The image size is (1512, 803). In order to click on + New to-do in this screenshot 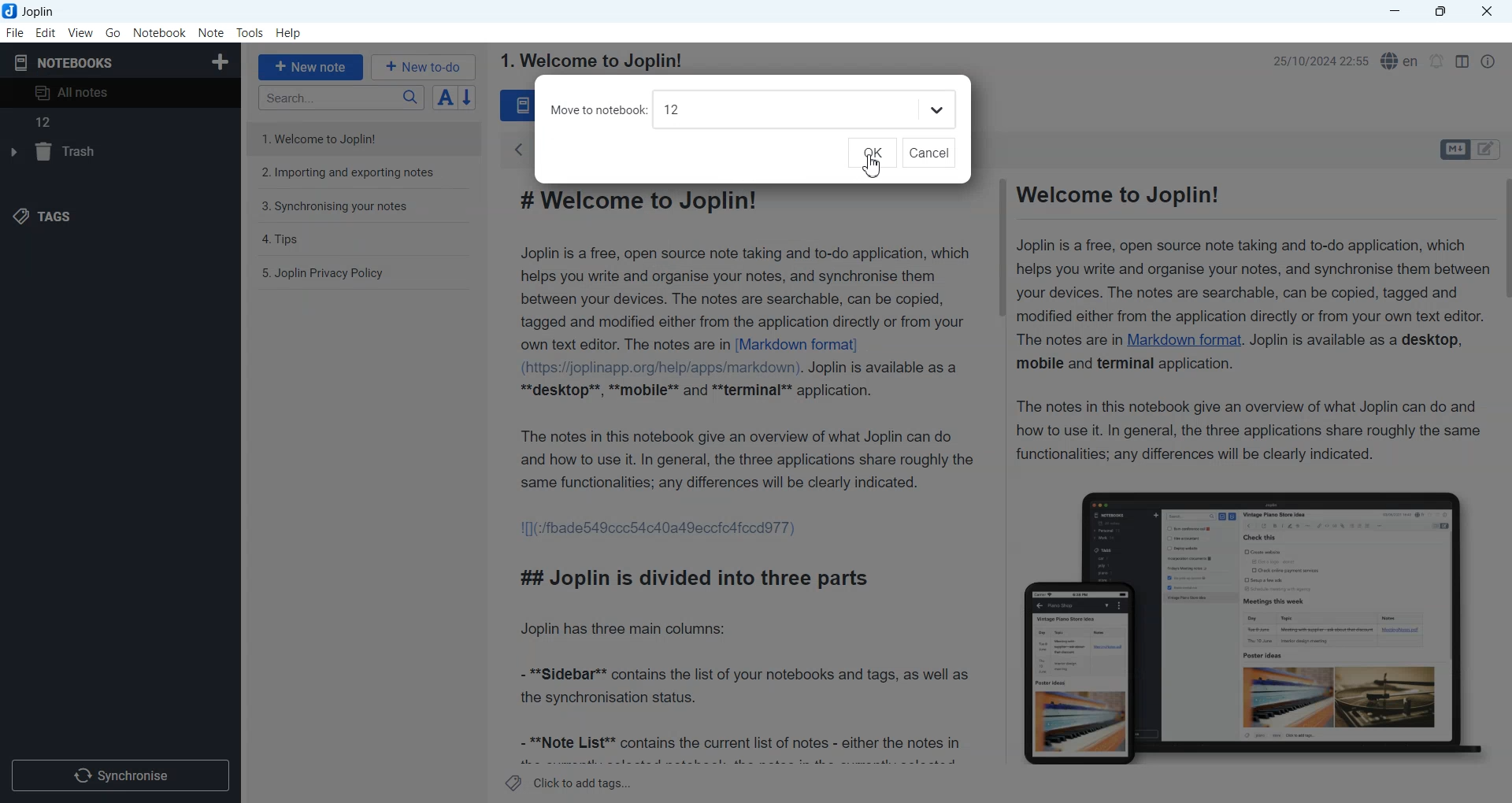, I will do `click(425, 66)`.